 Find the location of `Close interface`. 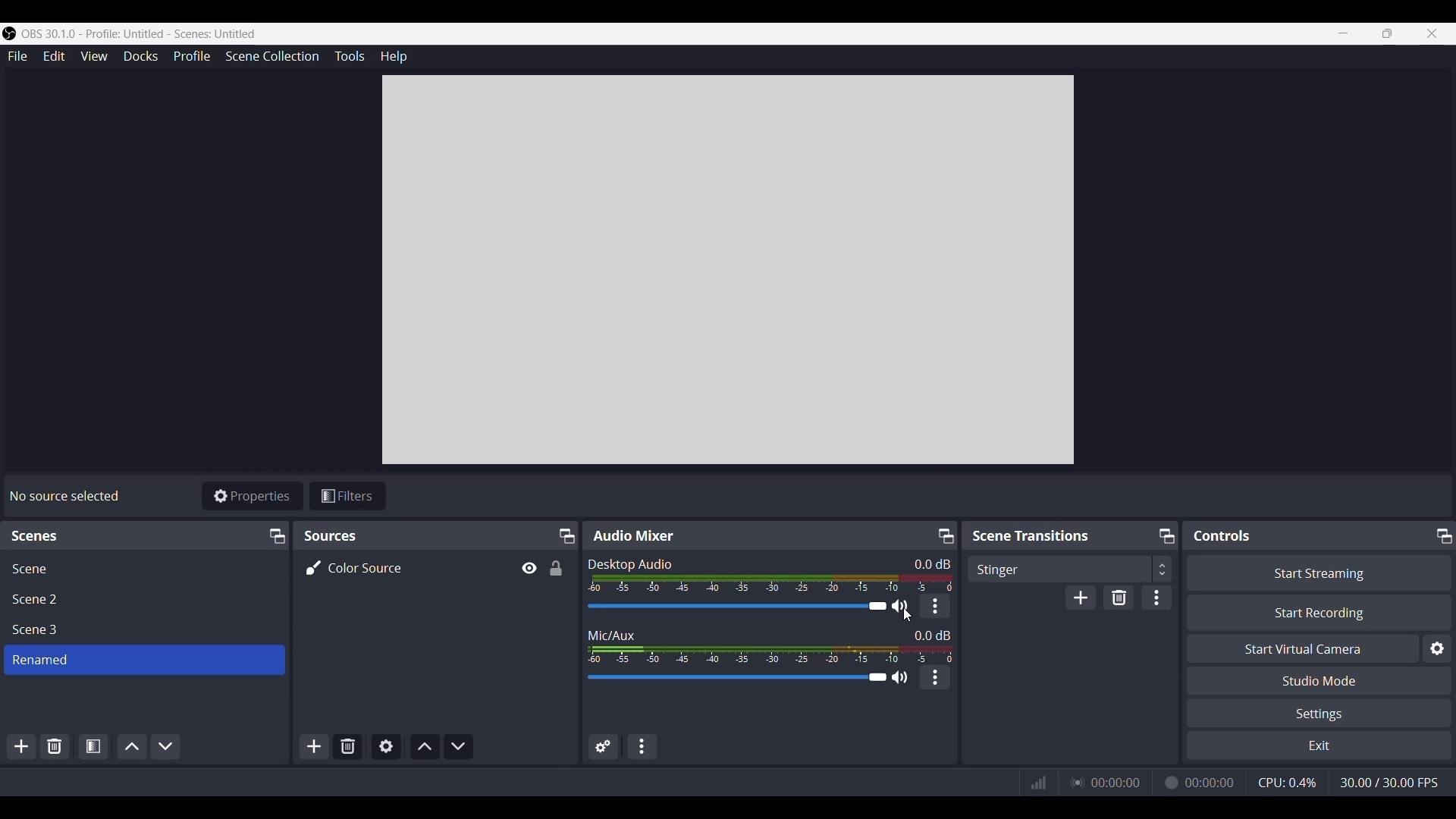

Close interface is located at coordinates (1432, 33).